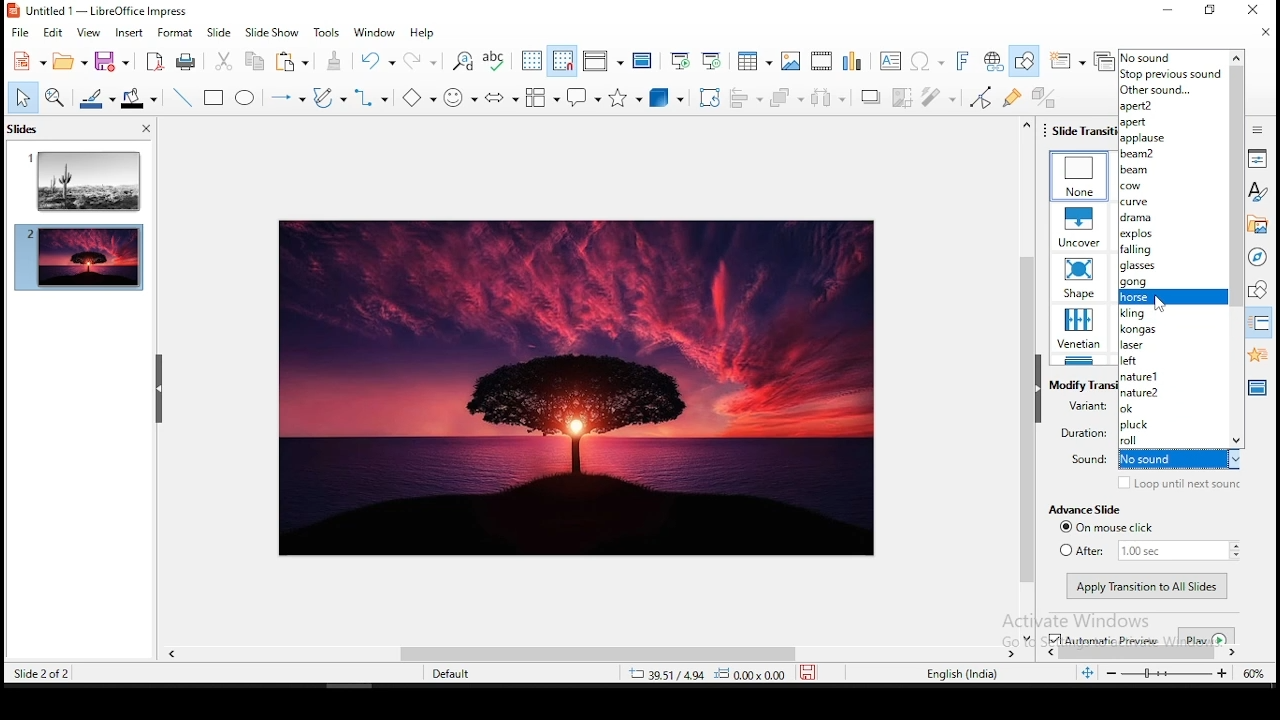 The height and width of the screenshot is (720, 1280). What do you see at coordinates (1174, 312) in the screenshot?
I see `kling` at bounding box center [1174, 312].